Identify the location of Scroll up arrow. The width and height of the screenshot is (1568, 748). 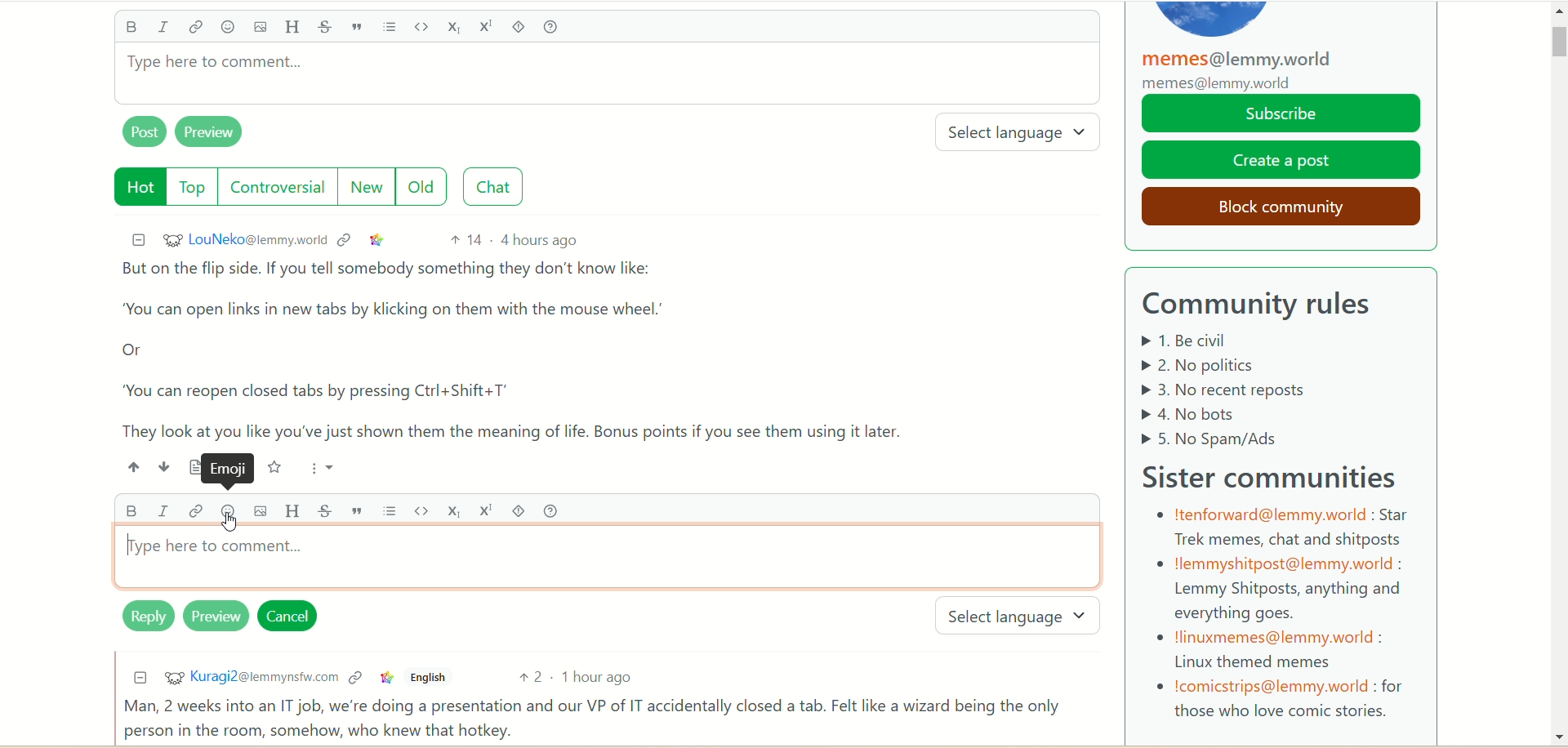
(1557, 13).